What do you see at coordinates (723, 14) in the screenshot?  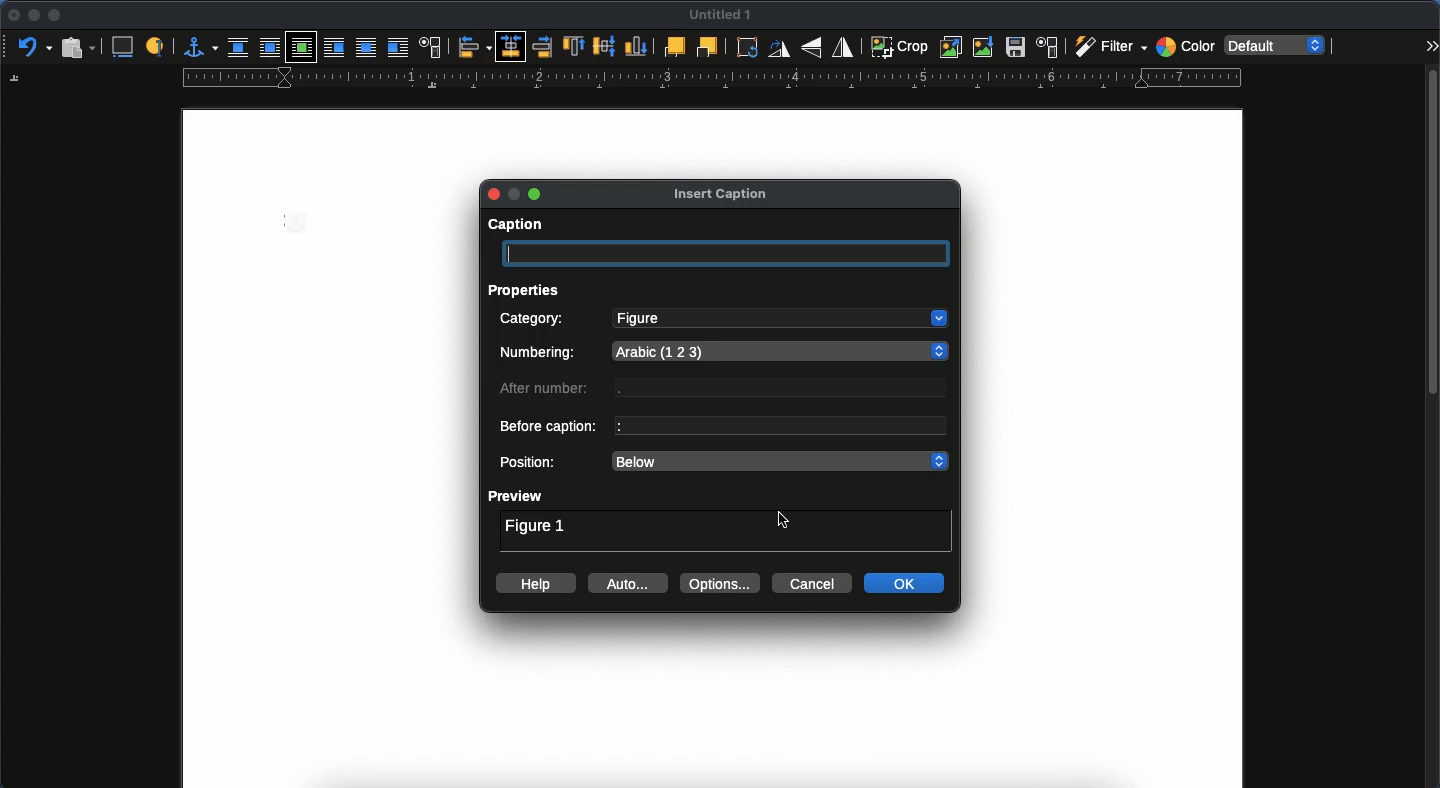 I see `Untiled 1 - name` at bounding box center [723, 14].